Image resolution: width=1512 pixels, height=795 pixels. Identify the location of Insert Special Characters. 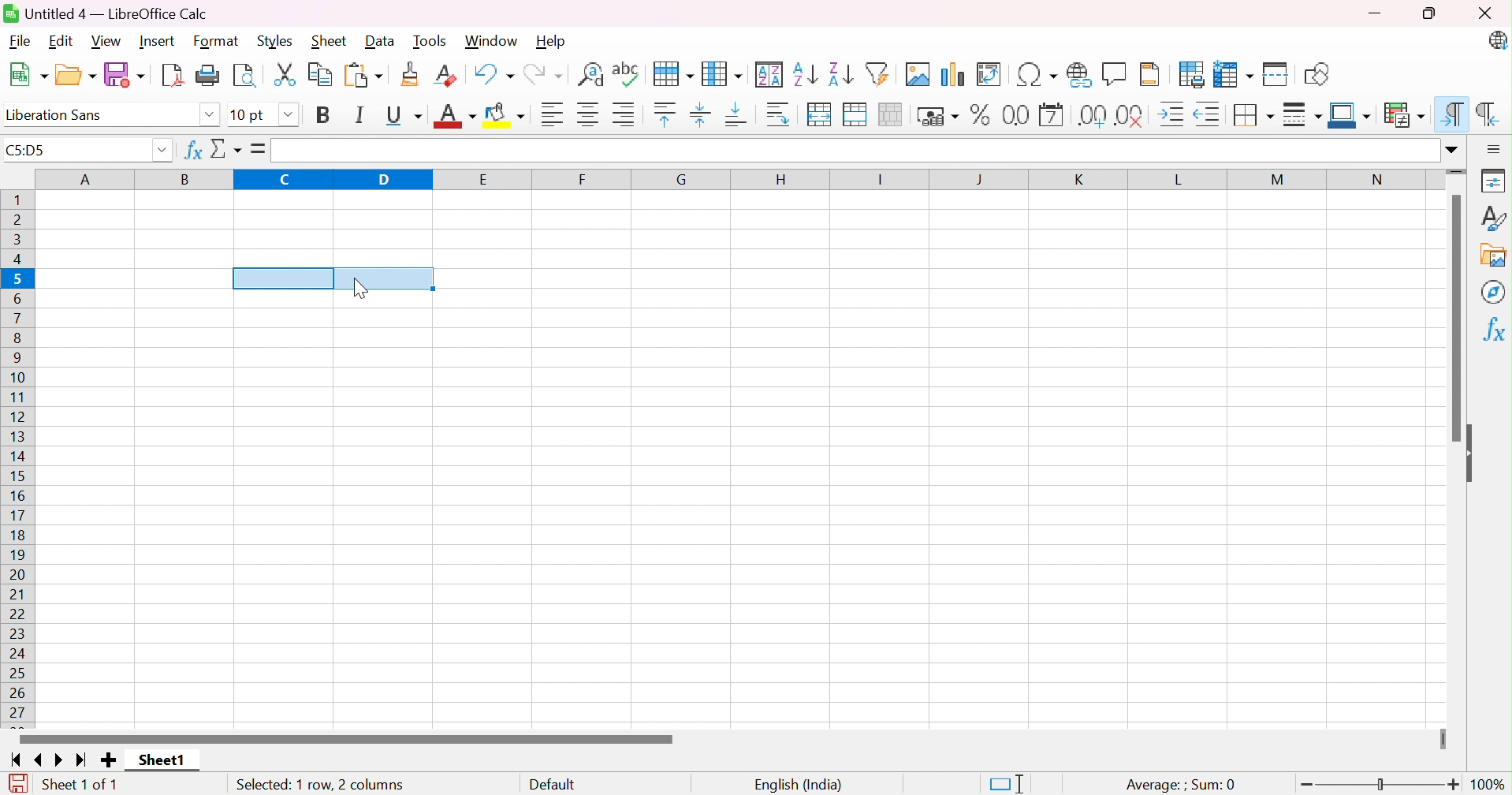
(1035, 74).